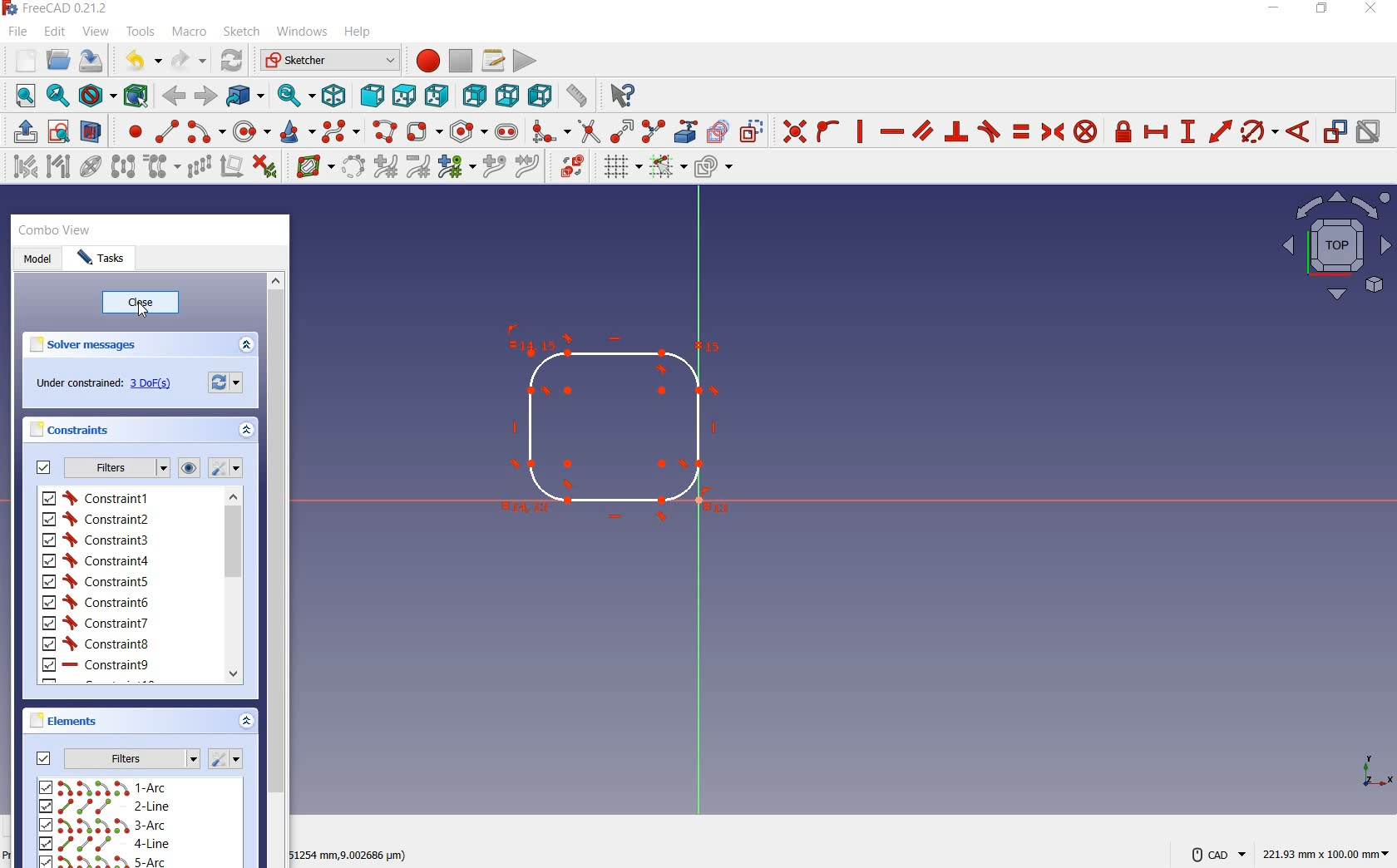  I want to click on draw style, so click(96, 95).